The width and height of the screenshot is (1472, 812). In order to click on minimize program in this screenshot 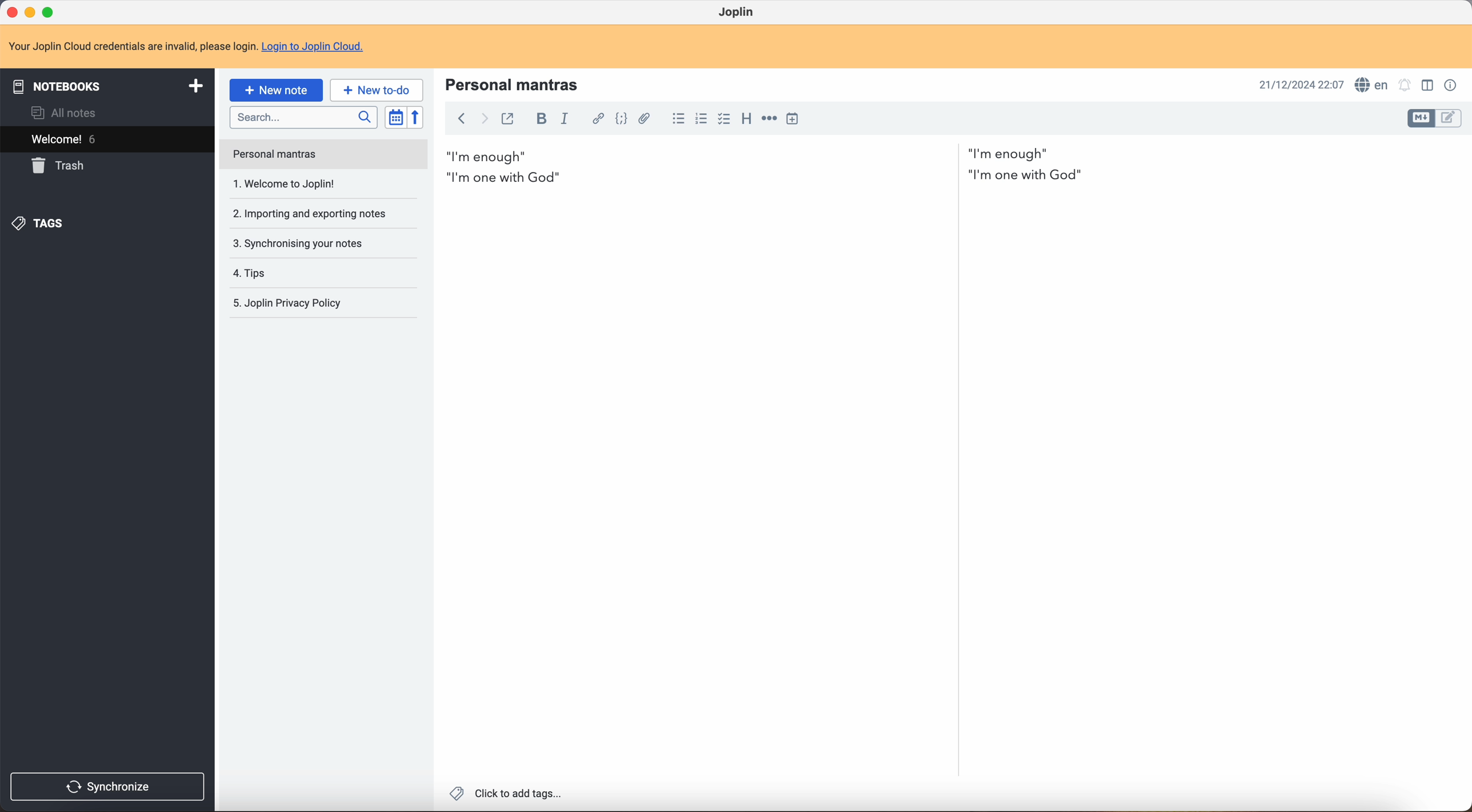, I will do `click(30, 11)`.